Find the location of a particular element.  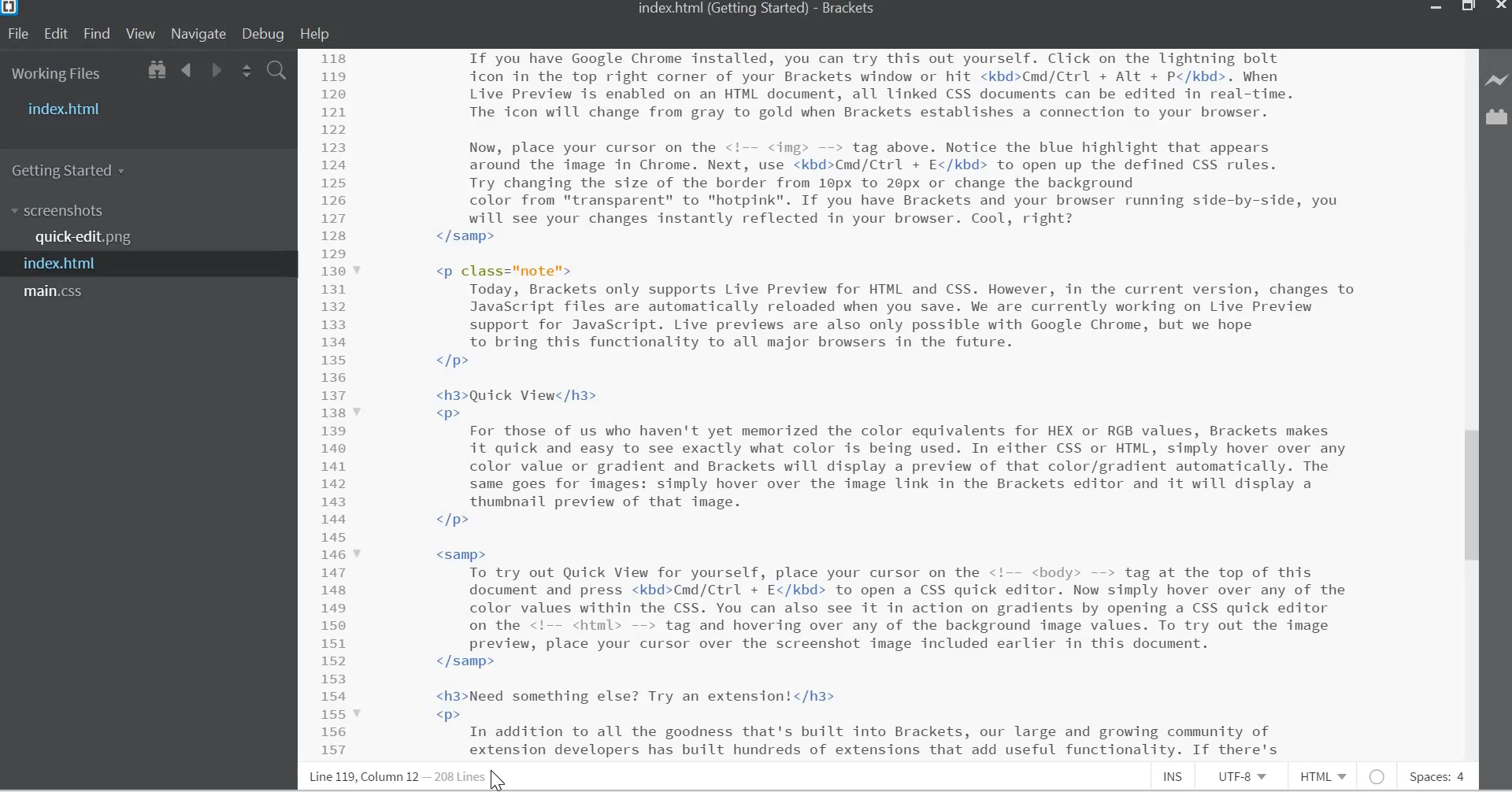

Find is located at coordinates (97, 34).